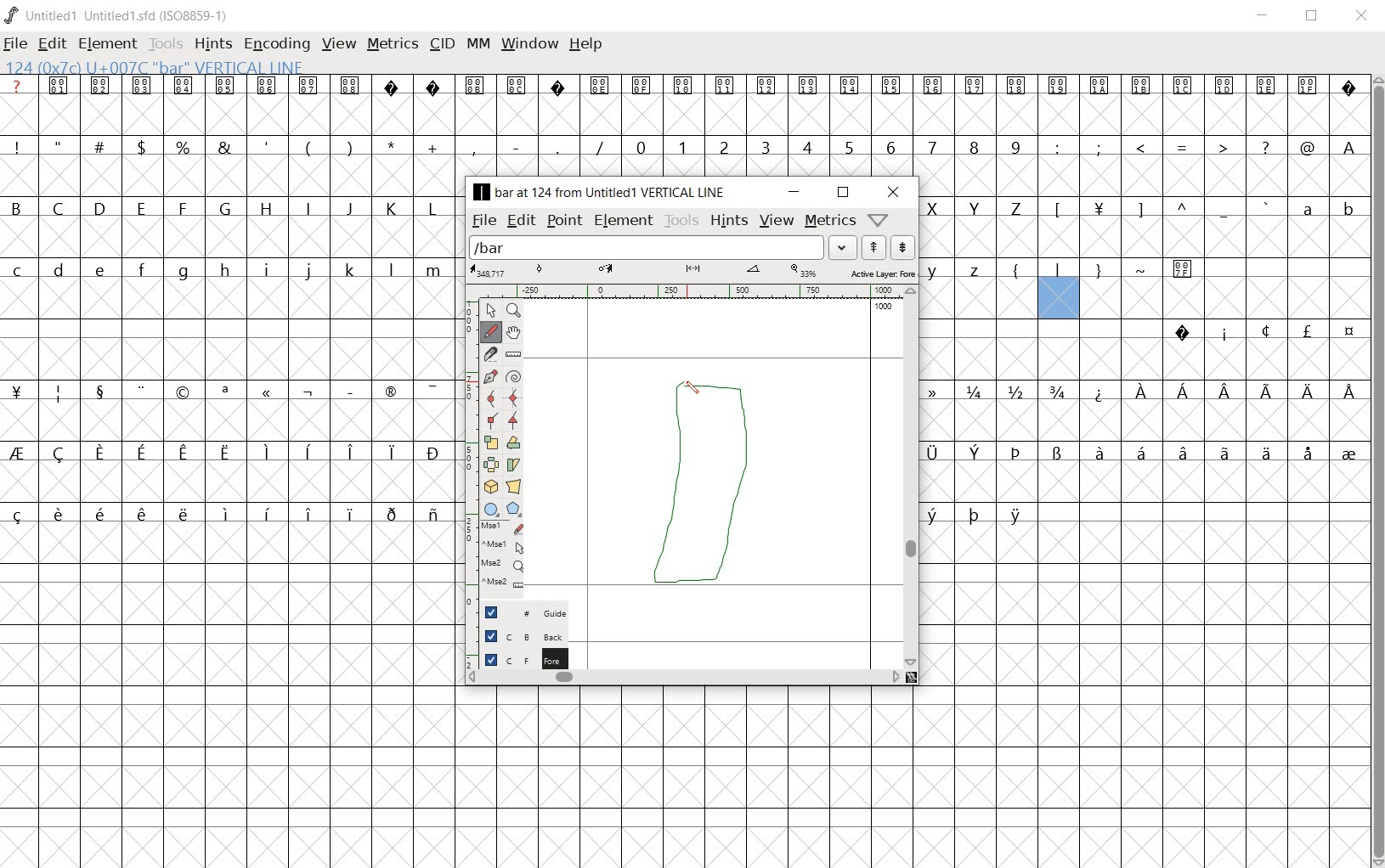  What do you see at coordinates (499, 526) in the screenshot?
I see `mse1` at bounding box center [499, 526].